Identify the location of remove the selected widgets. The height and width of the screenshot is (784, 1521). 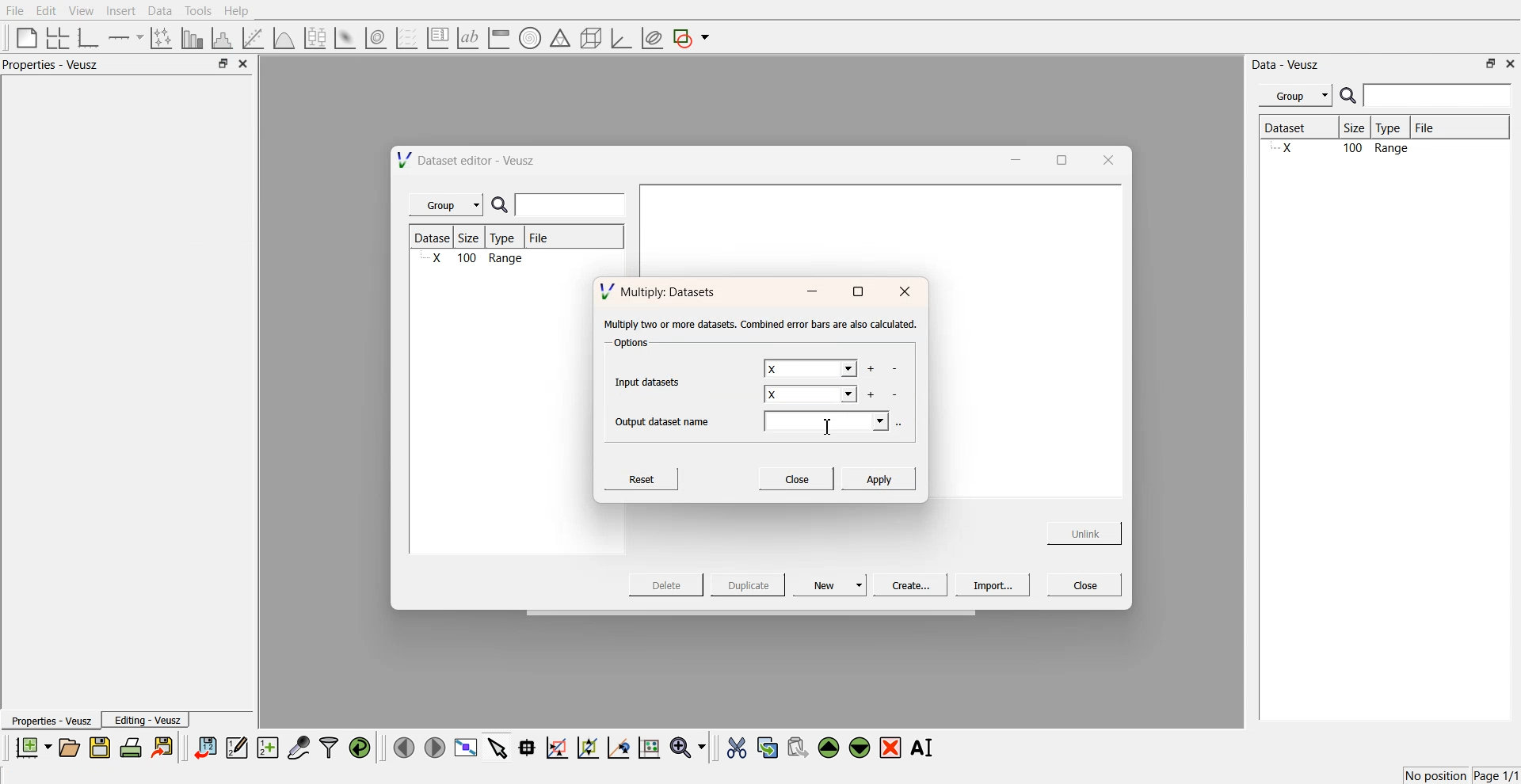
(892, 748).